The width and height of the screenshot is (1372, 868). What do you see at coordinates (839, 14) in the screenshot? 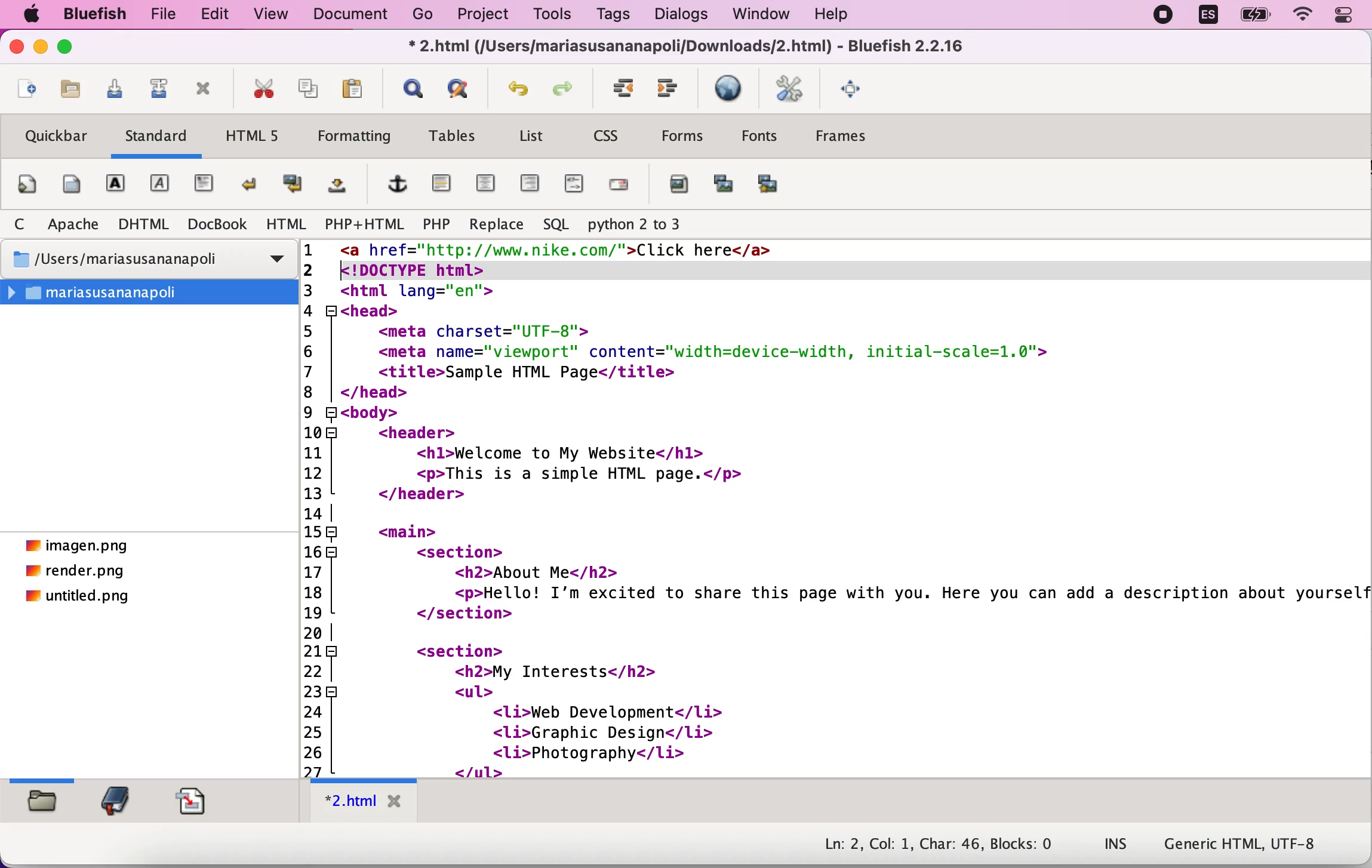
I see `help` at bounding box center [839, 14].